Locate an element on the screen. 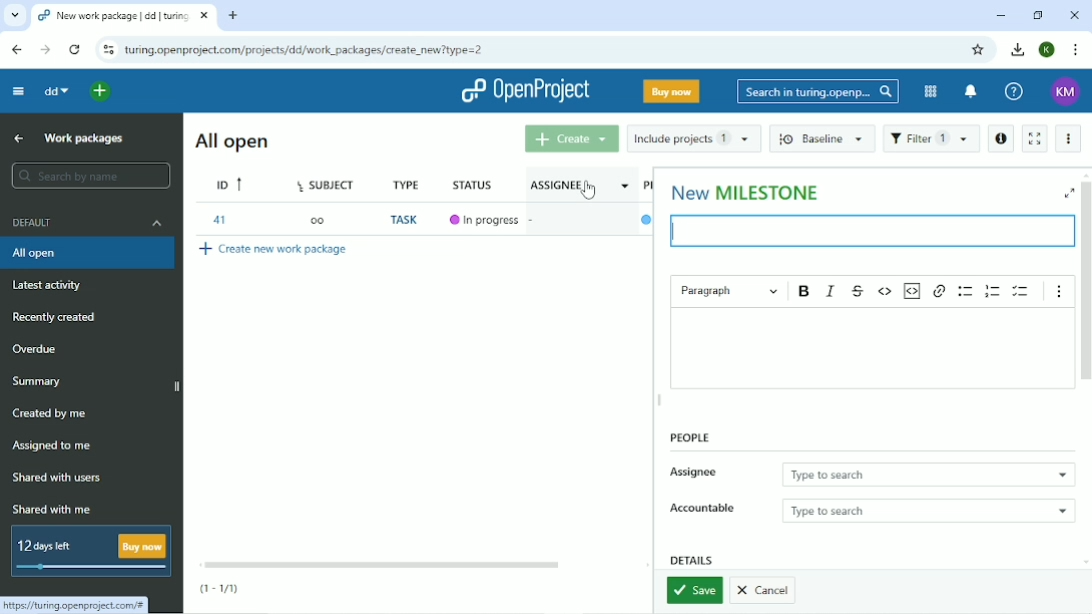 The height and width of the screenshot is (614, 1092). Bold is located at coordinates (805, 291).